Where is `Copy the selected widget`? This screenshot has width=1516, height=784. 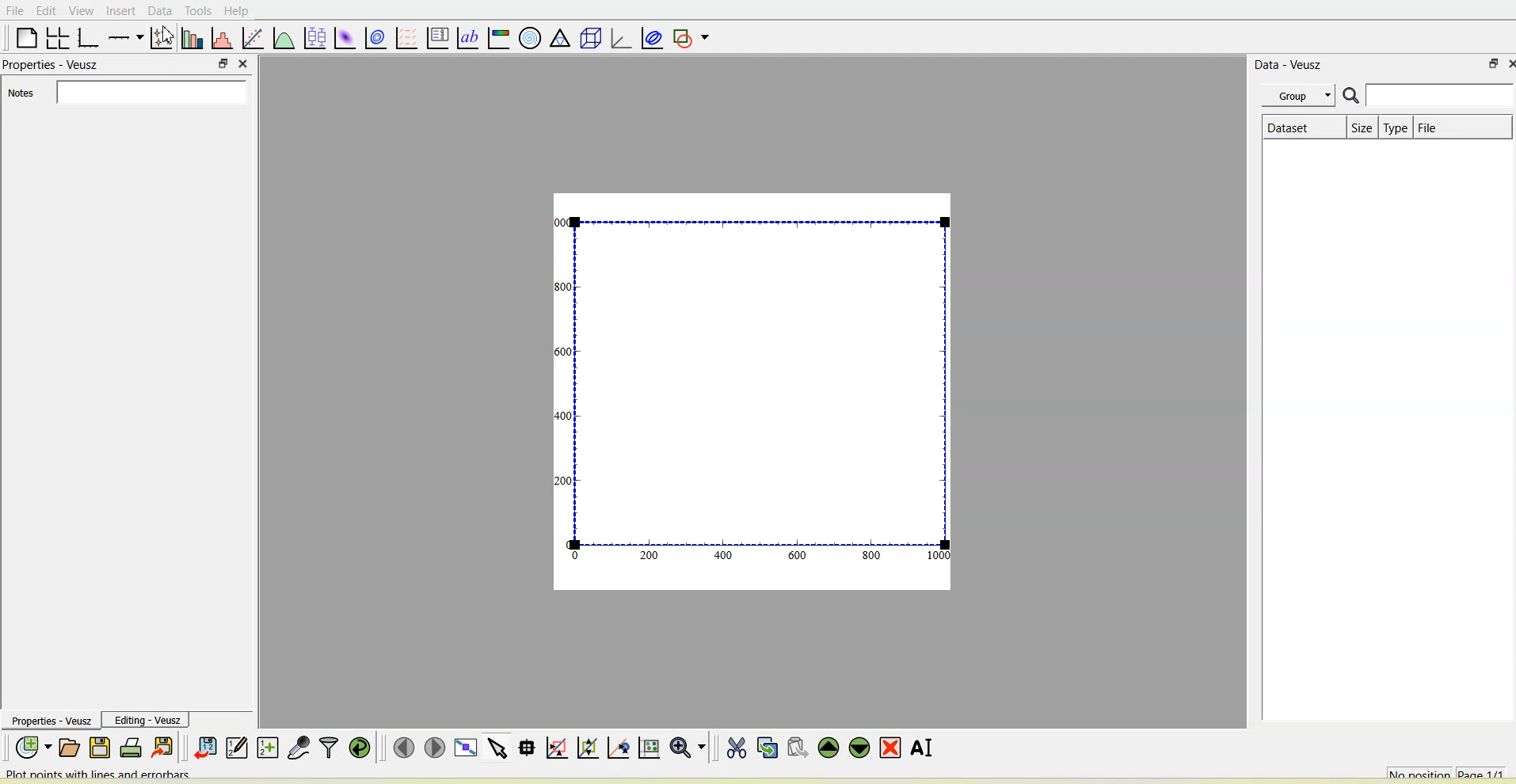 Copy the selected widget is located at coordinates (768, 748).